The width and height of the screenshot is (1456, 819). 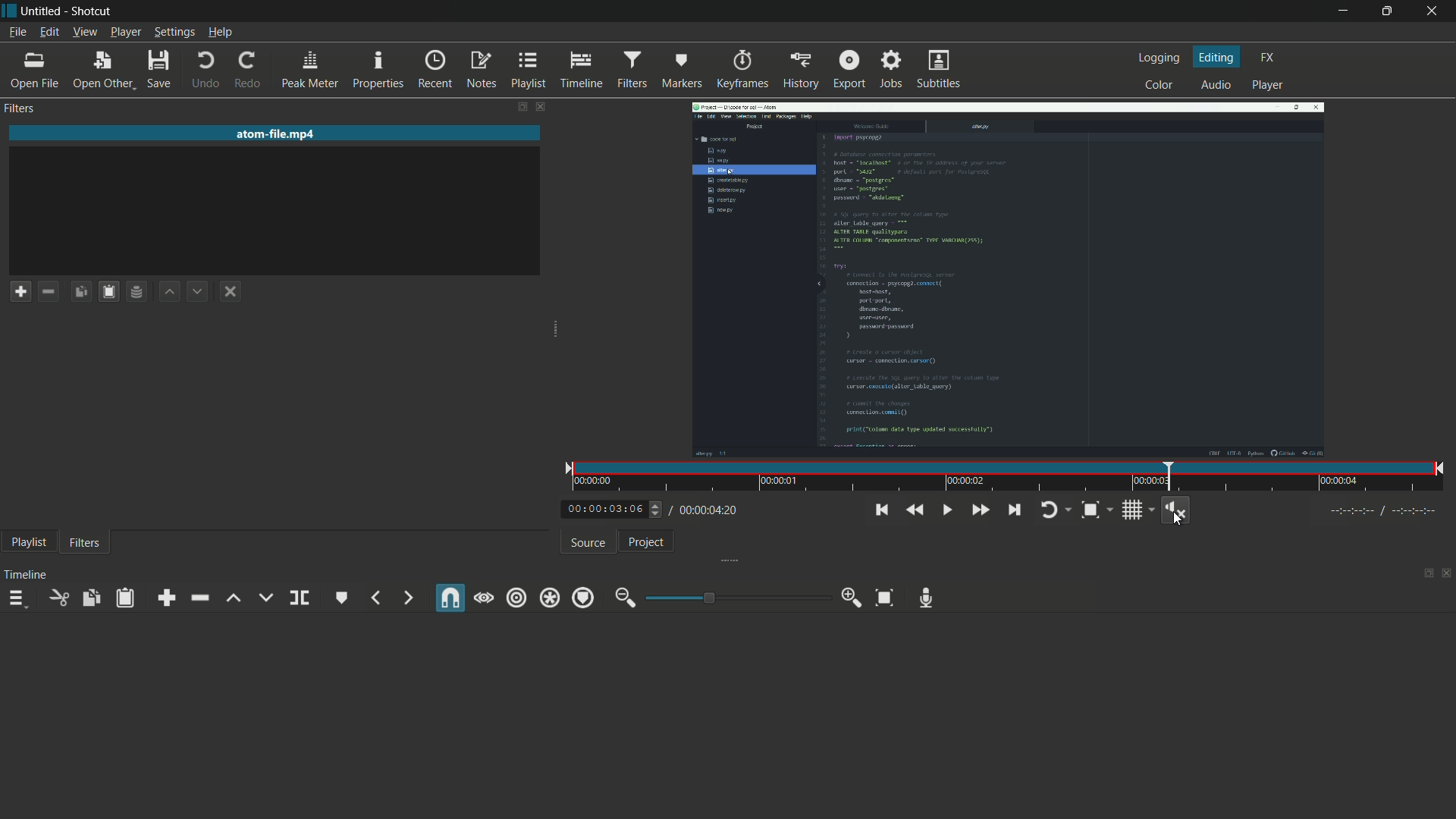 I want to click on append, so click(x=165, y=598).